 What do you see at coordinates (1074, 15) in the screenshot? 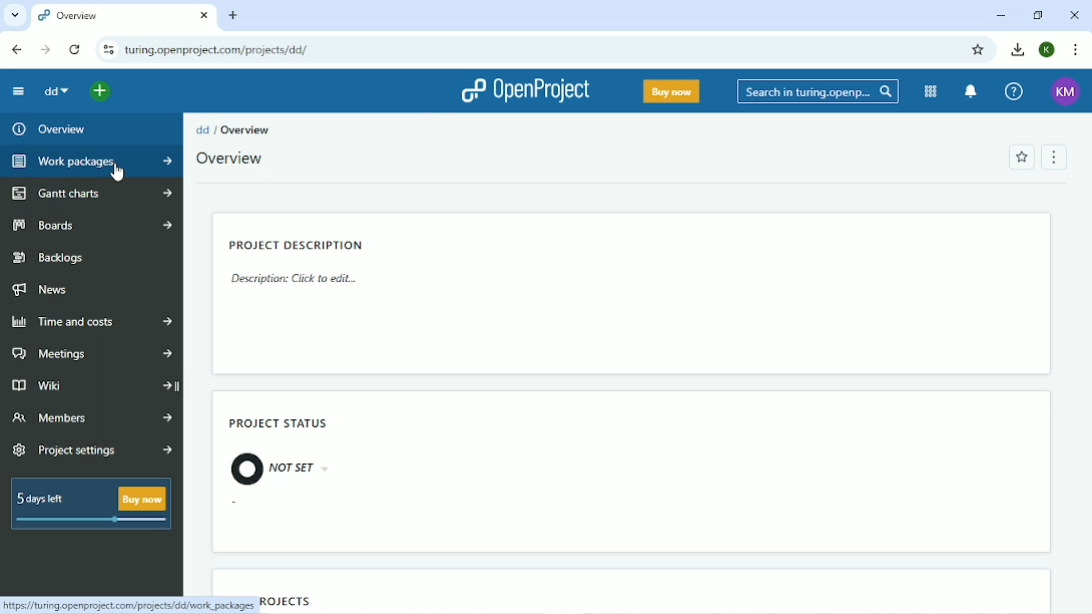
I see `Close` at bounding box center [1074, 15].